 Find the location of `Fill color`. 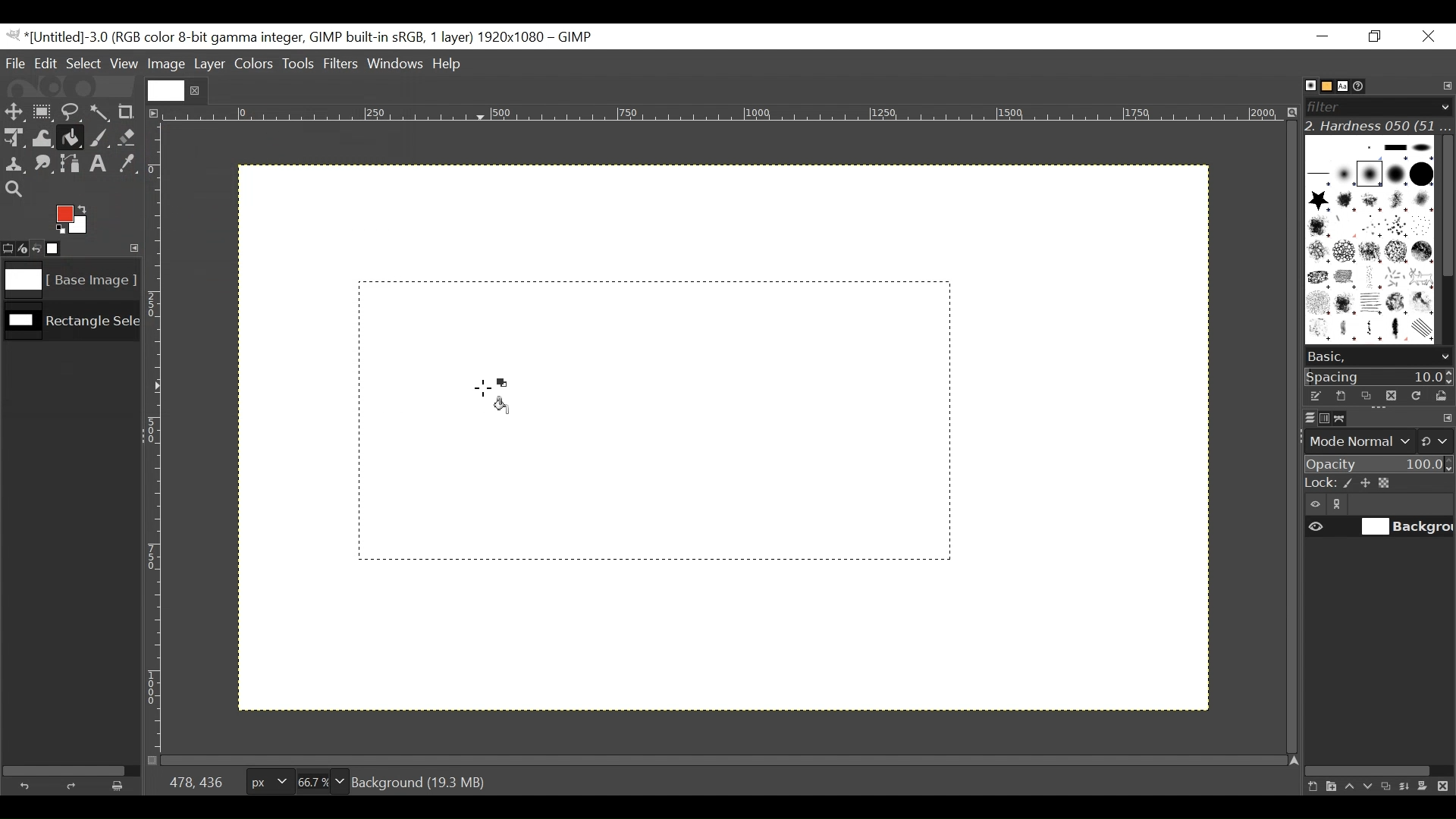

Fill color is located at coordinates (502, 406).